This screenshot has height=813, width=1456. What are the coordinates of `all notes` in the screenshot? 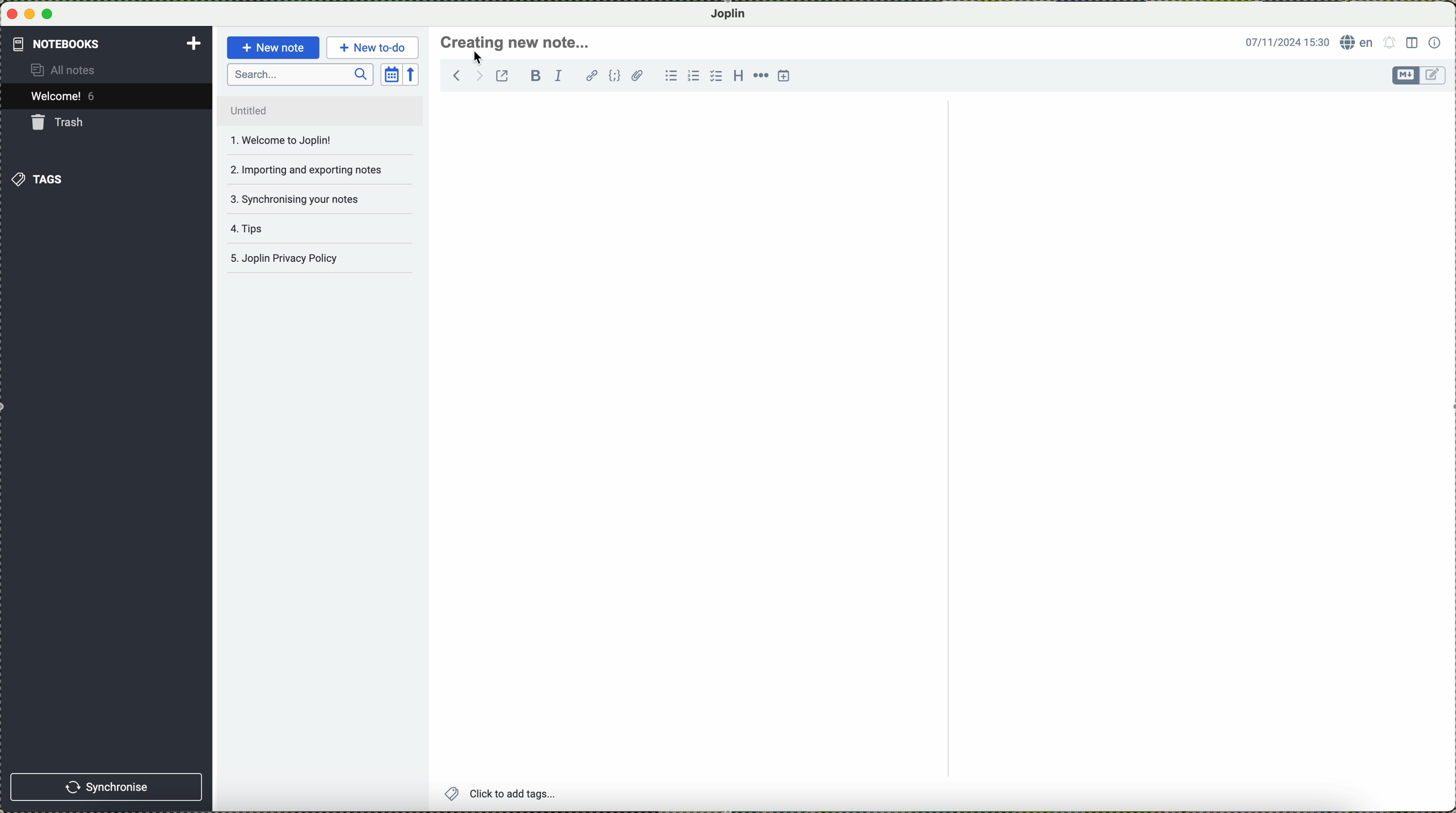 It's located at (73, 71).